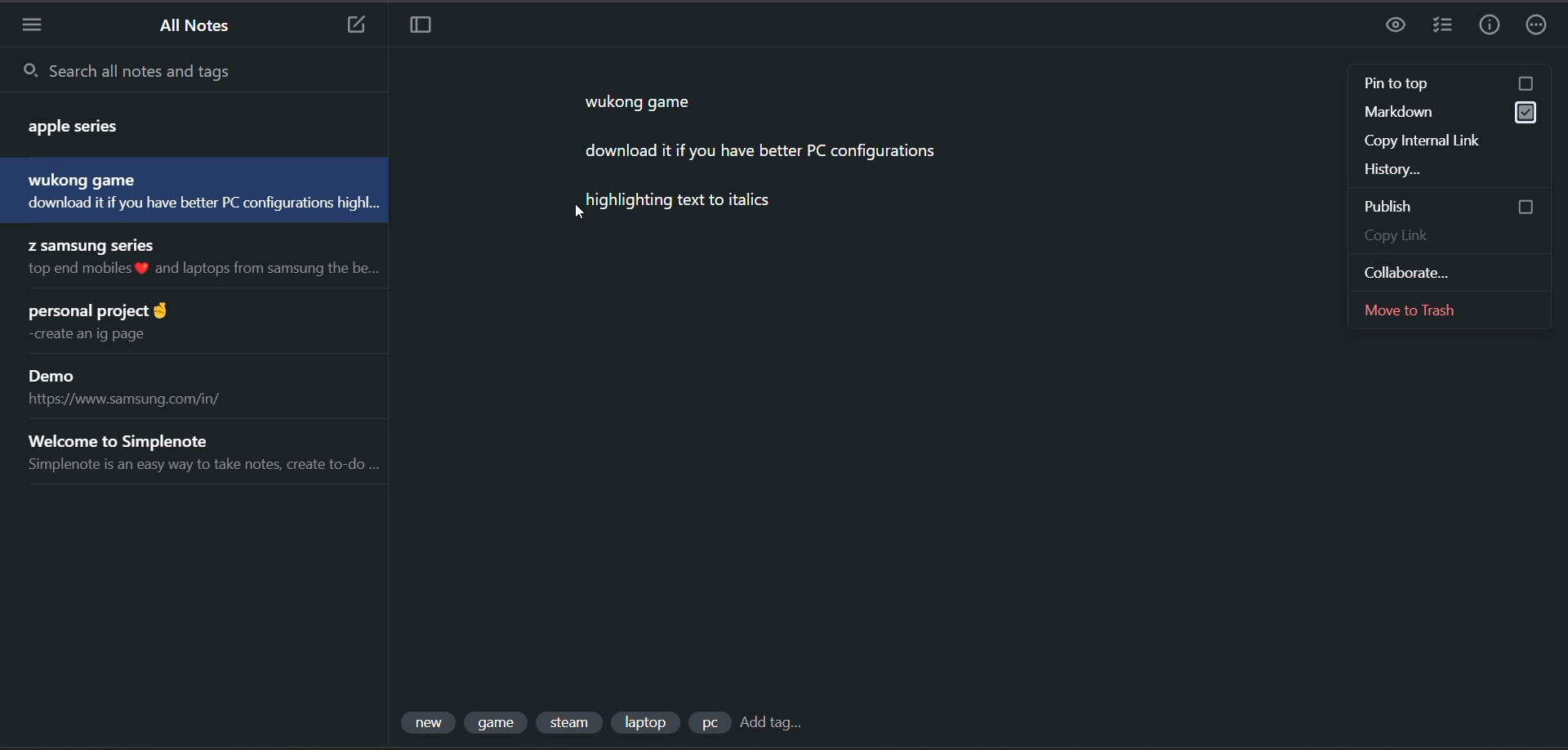 Image resolution: width=1568 pixels, height=750 pixels. I want to click on data from current note, so click(758, 163).